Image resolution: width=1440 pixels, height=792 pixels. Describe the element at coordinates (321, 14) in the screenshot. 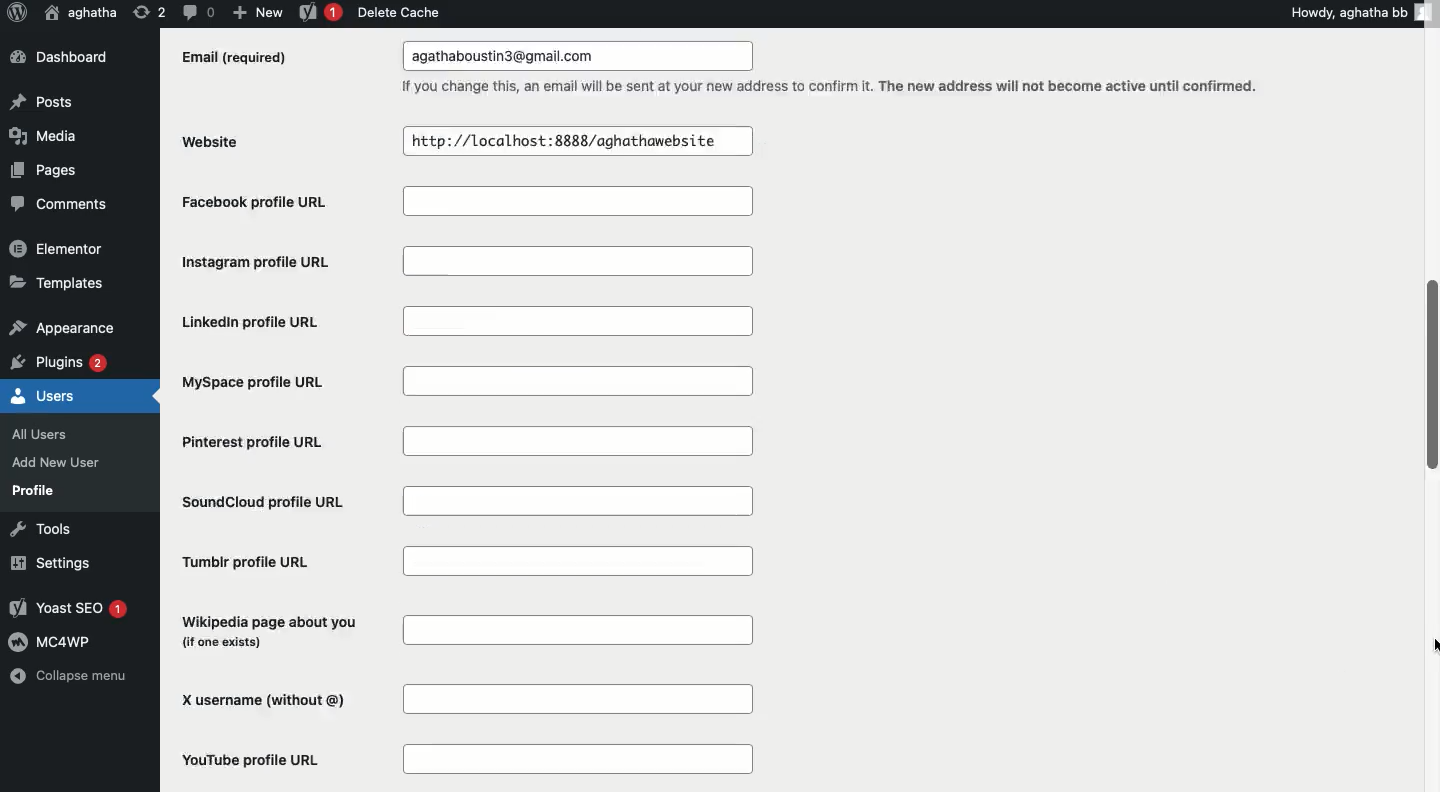

I see `Yoast` at that location.